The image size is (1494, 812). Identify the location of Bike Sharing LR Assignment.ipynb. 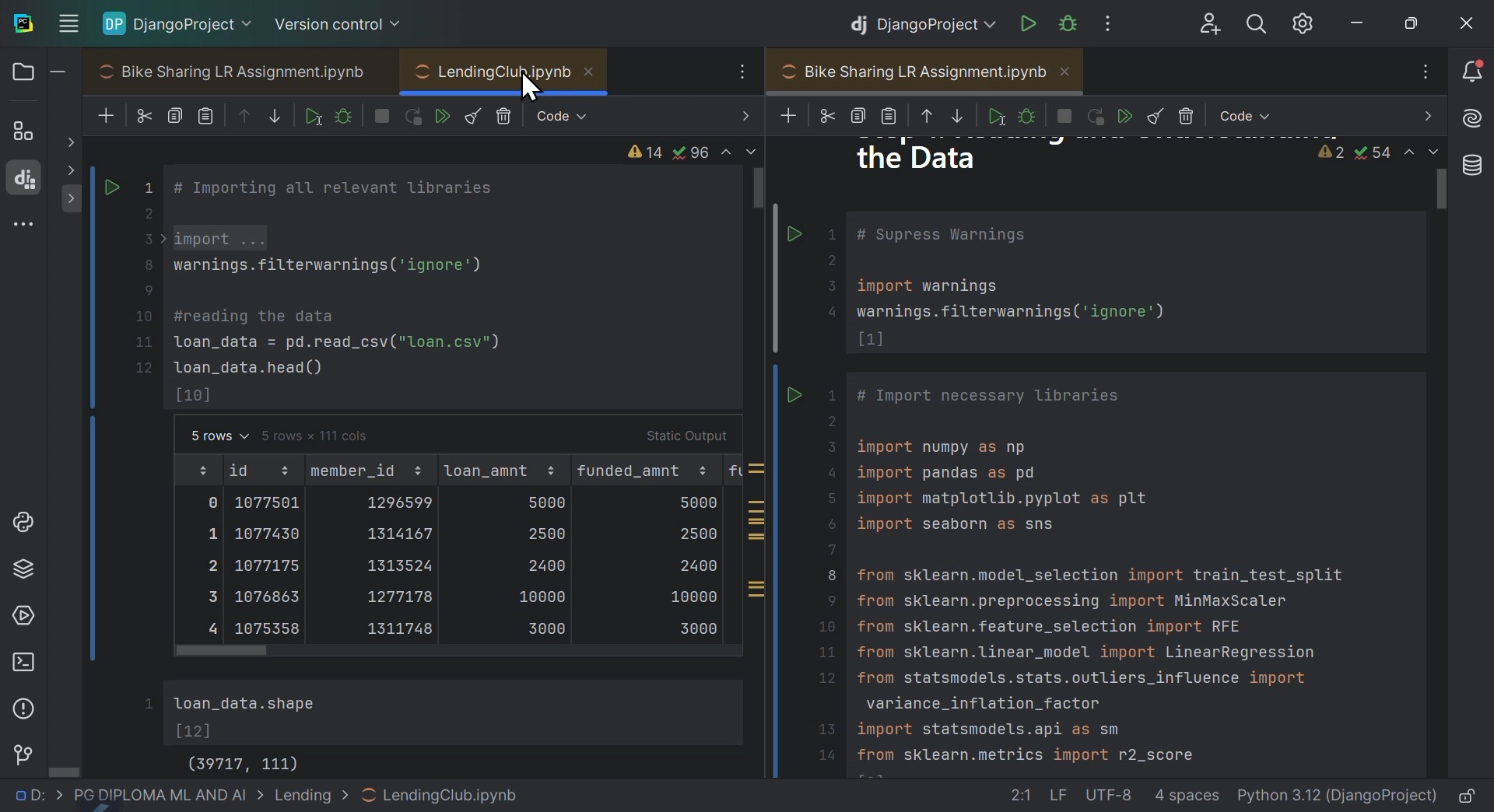
(236, 70).